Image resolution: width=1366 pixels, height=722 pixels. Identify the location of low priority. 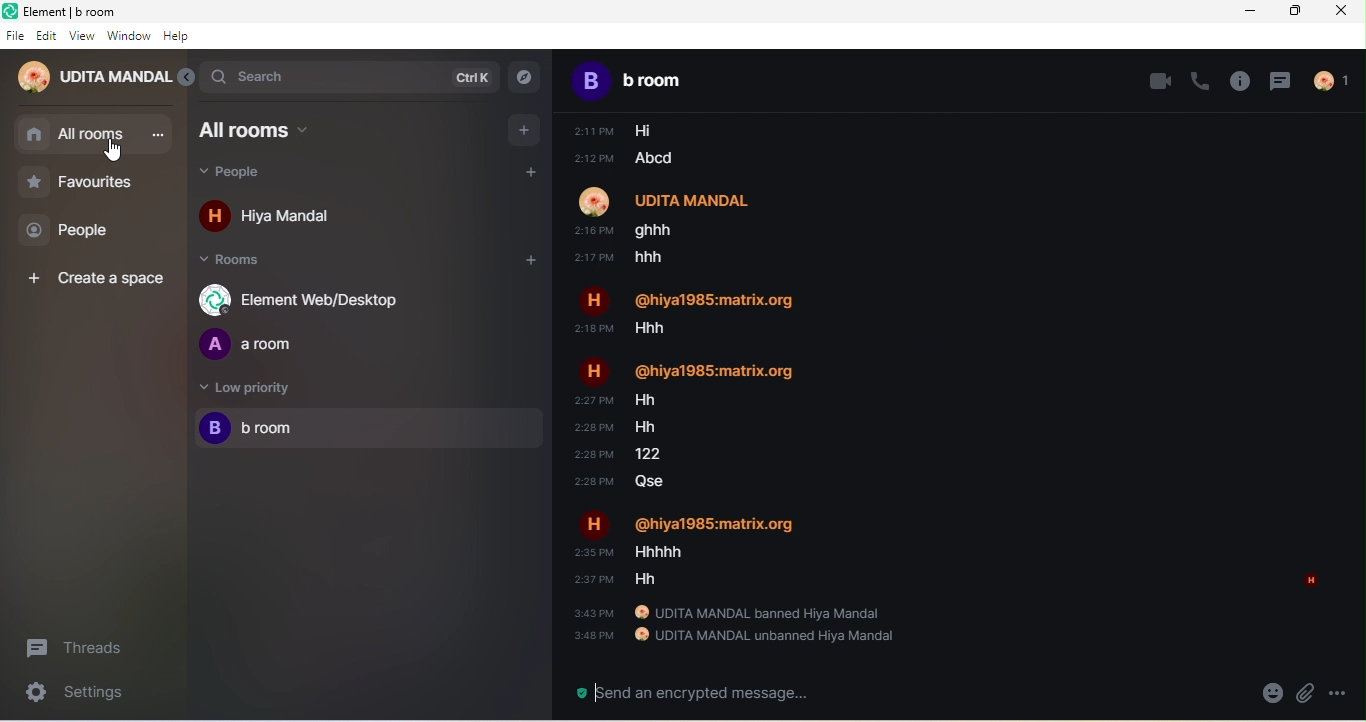
(247, 391).